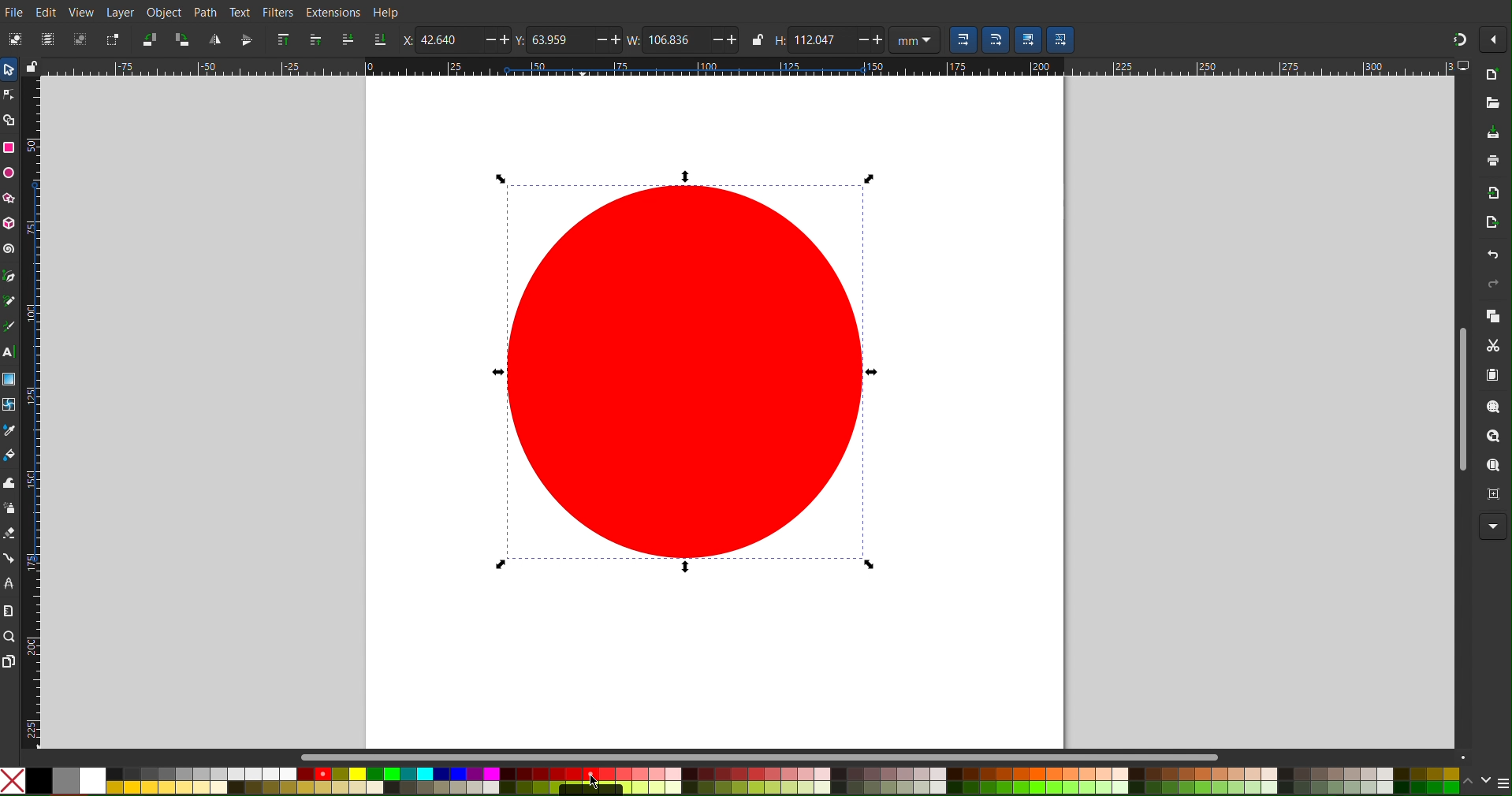 The image size is (1512, 796). What do you see at coordinates (284, 41) in the screenshot?
I see `Send to Top` at bounding box center [284, 41].